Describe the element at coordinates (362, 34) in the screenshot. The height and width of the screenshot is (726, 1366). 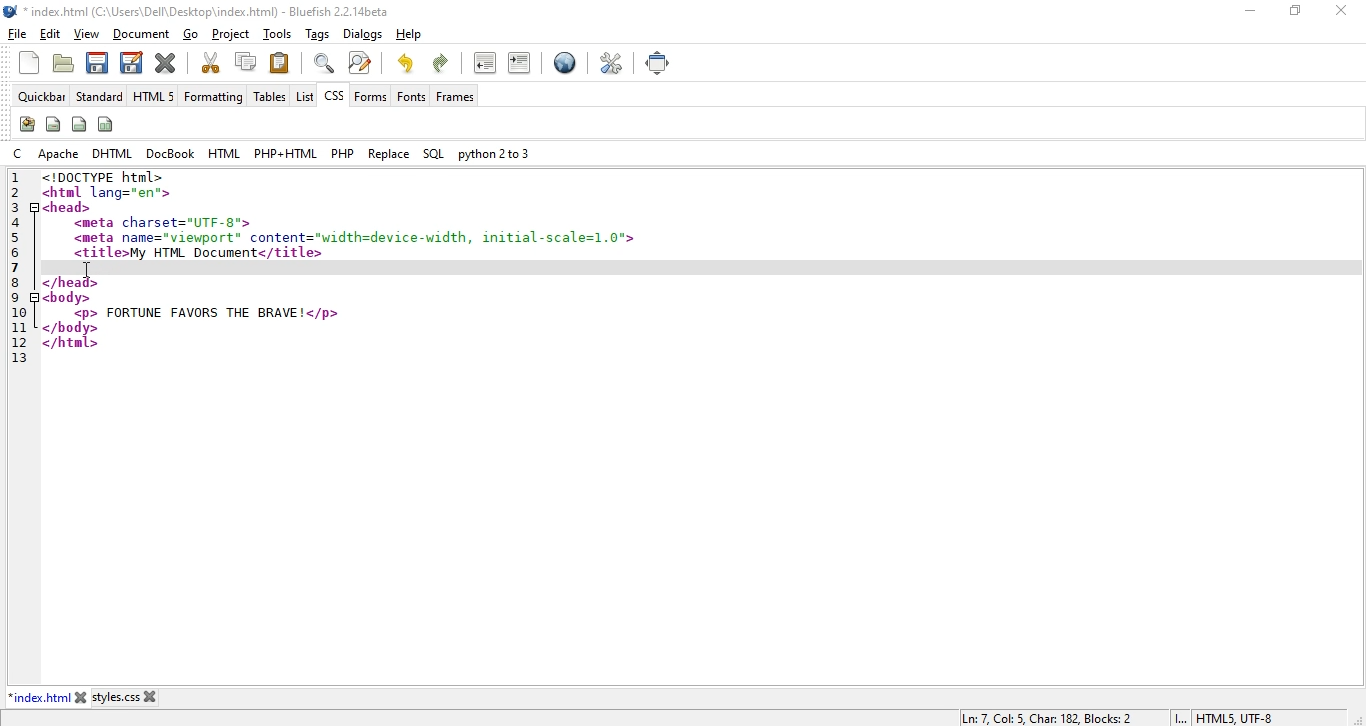
I see `dialog` at that location.